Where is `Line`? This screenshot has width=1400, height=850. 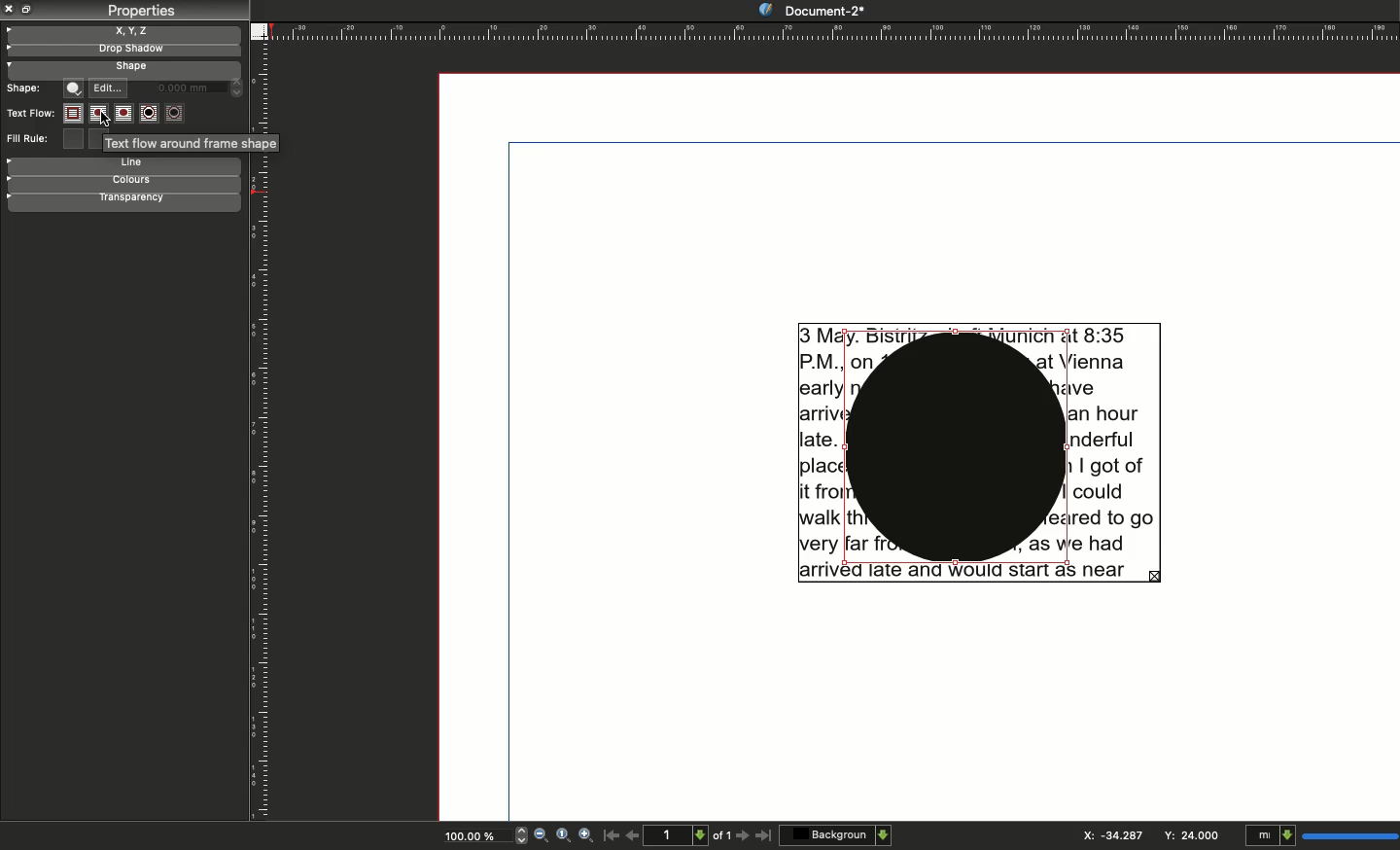
Line is located at coordinates (129, 165).